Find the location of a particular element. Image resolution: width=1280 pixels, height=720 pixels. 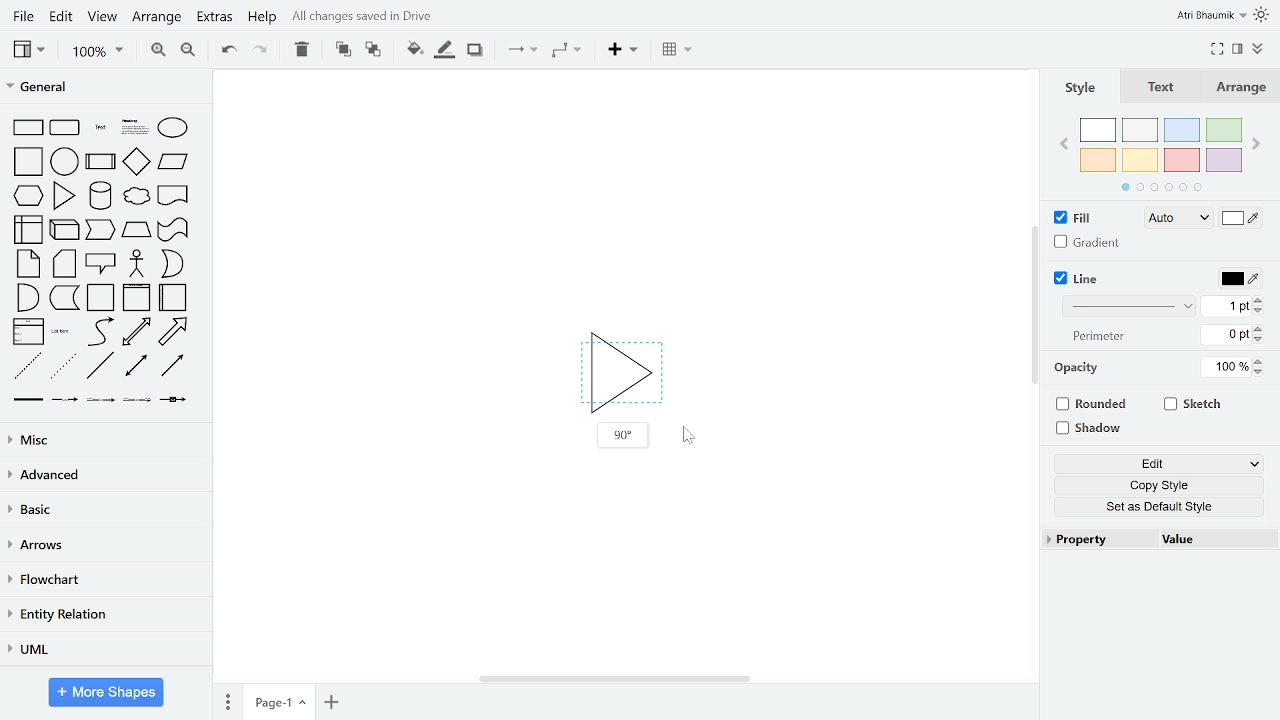

perimeter is located at coordinates (1096, 337).